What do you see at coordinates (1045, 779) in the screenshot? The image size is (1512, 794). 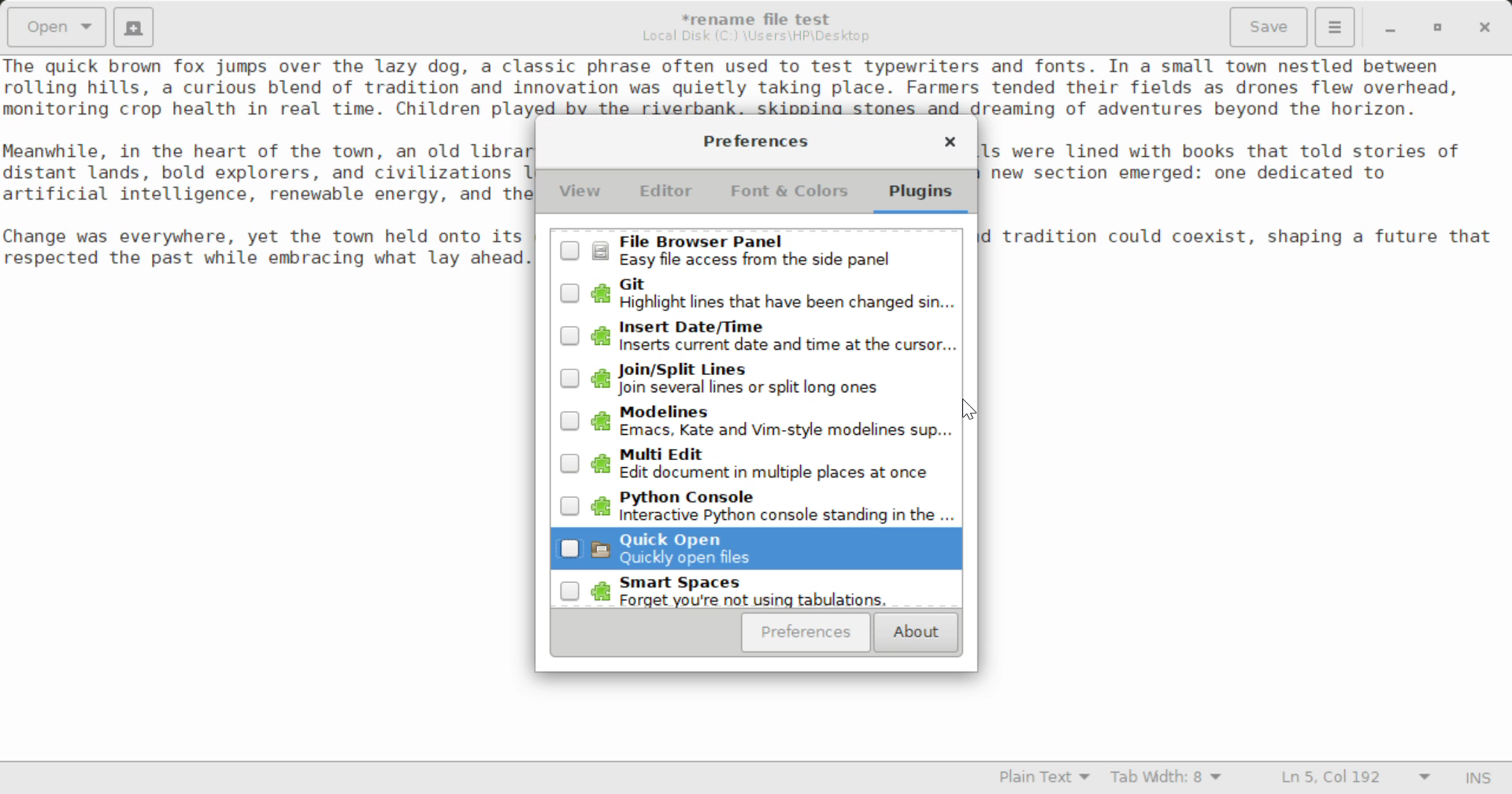 I see `Selected Language` at bounding box center [1045, 779].